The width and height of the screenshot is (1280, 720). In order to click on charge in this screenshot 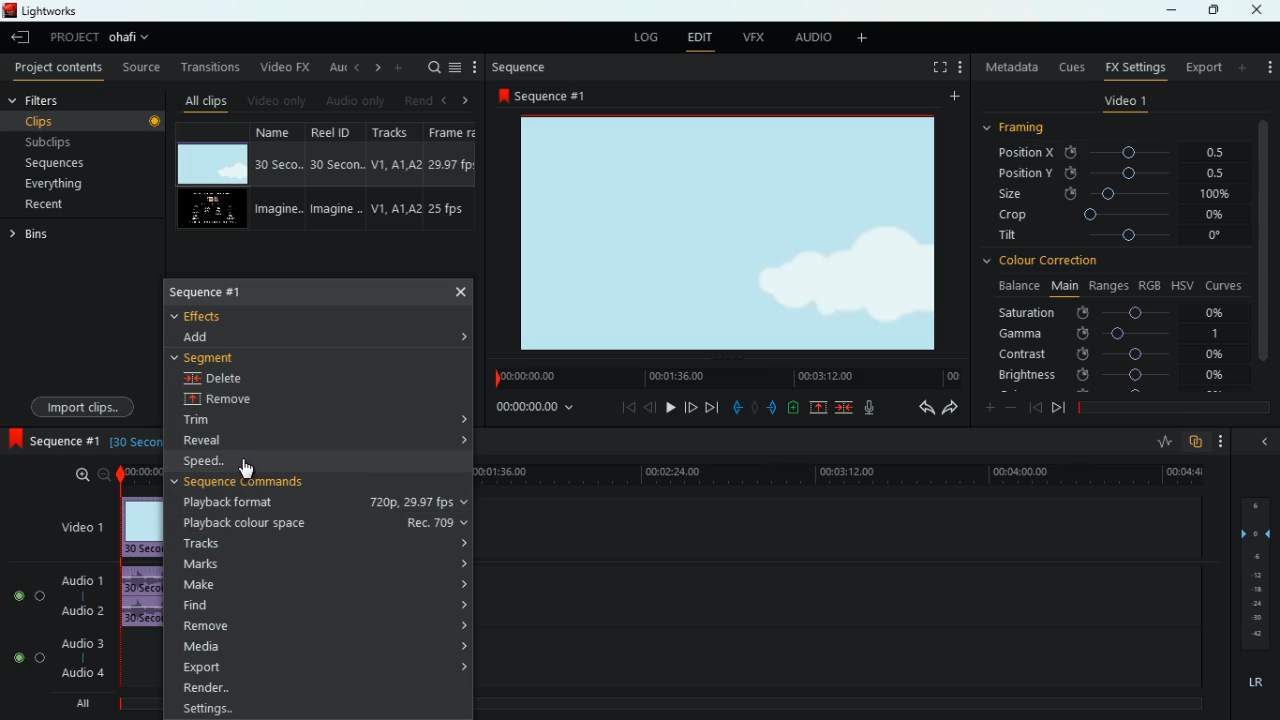, I will do `click(794, 407)`.